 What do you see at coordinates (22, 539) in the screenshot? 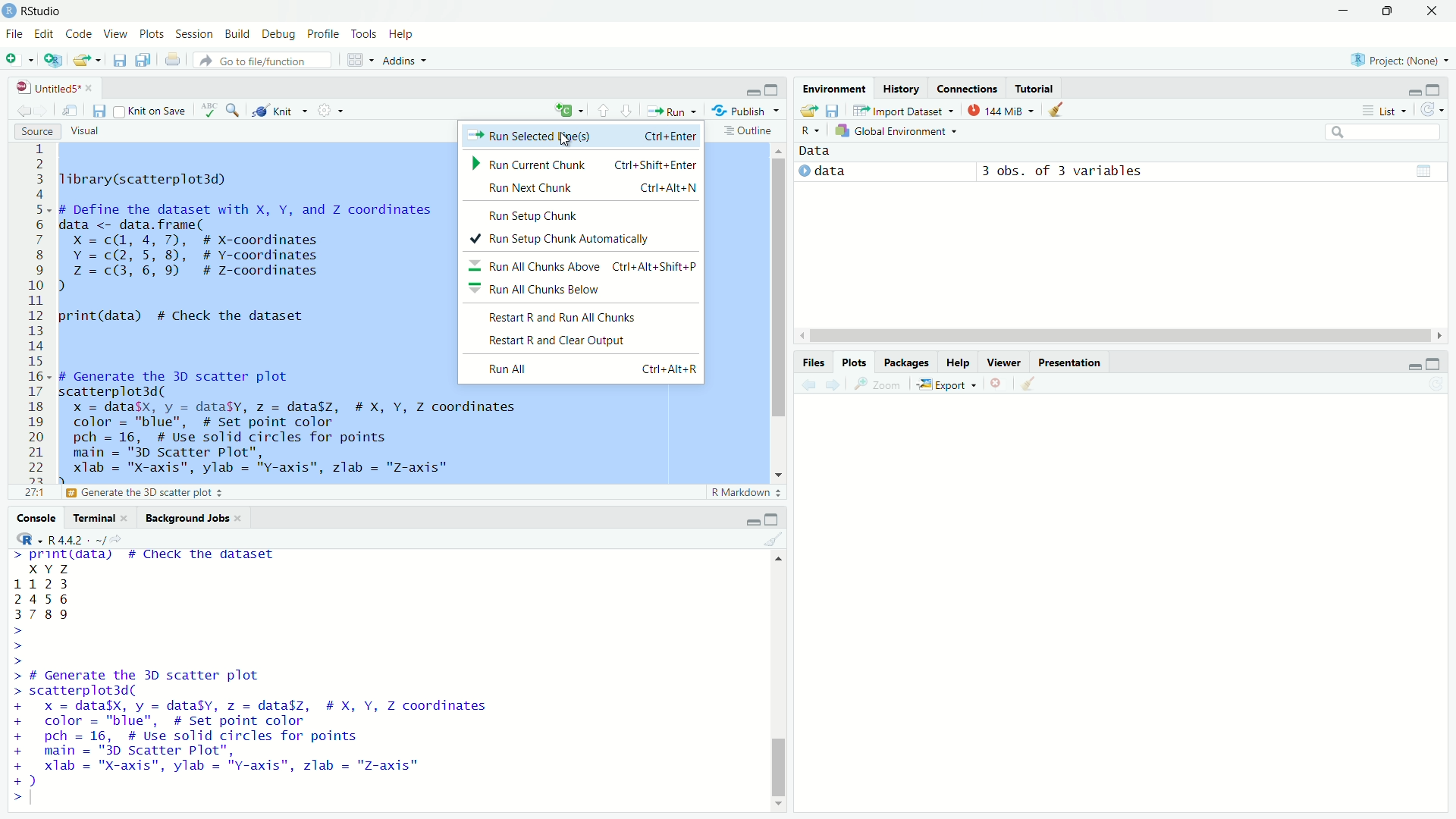
I see `R` at bounding box center [22, 539].